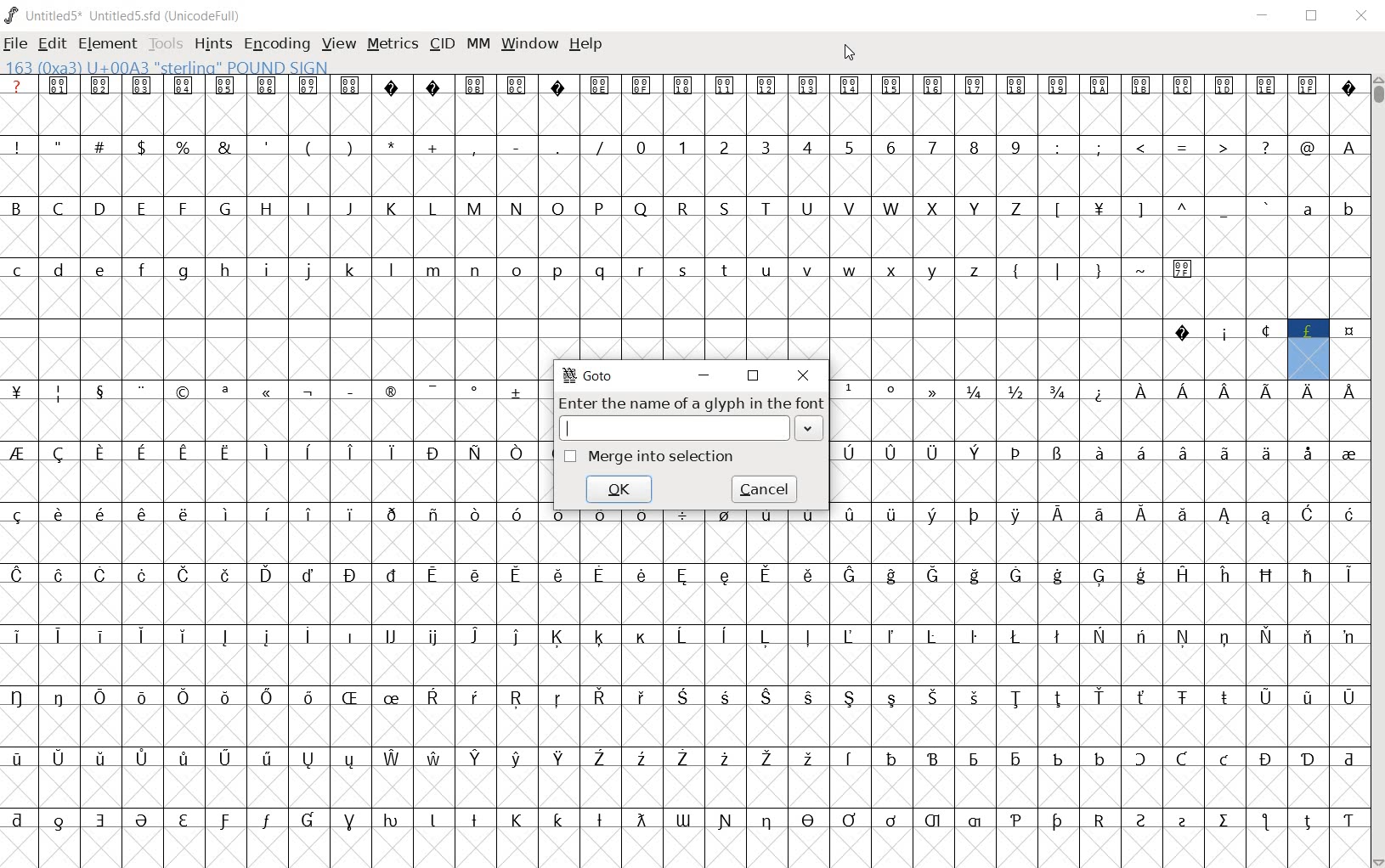  I want to click on restore down, so click(756, 376).